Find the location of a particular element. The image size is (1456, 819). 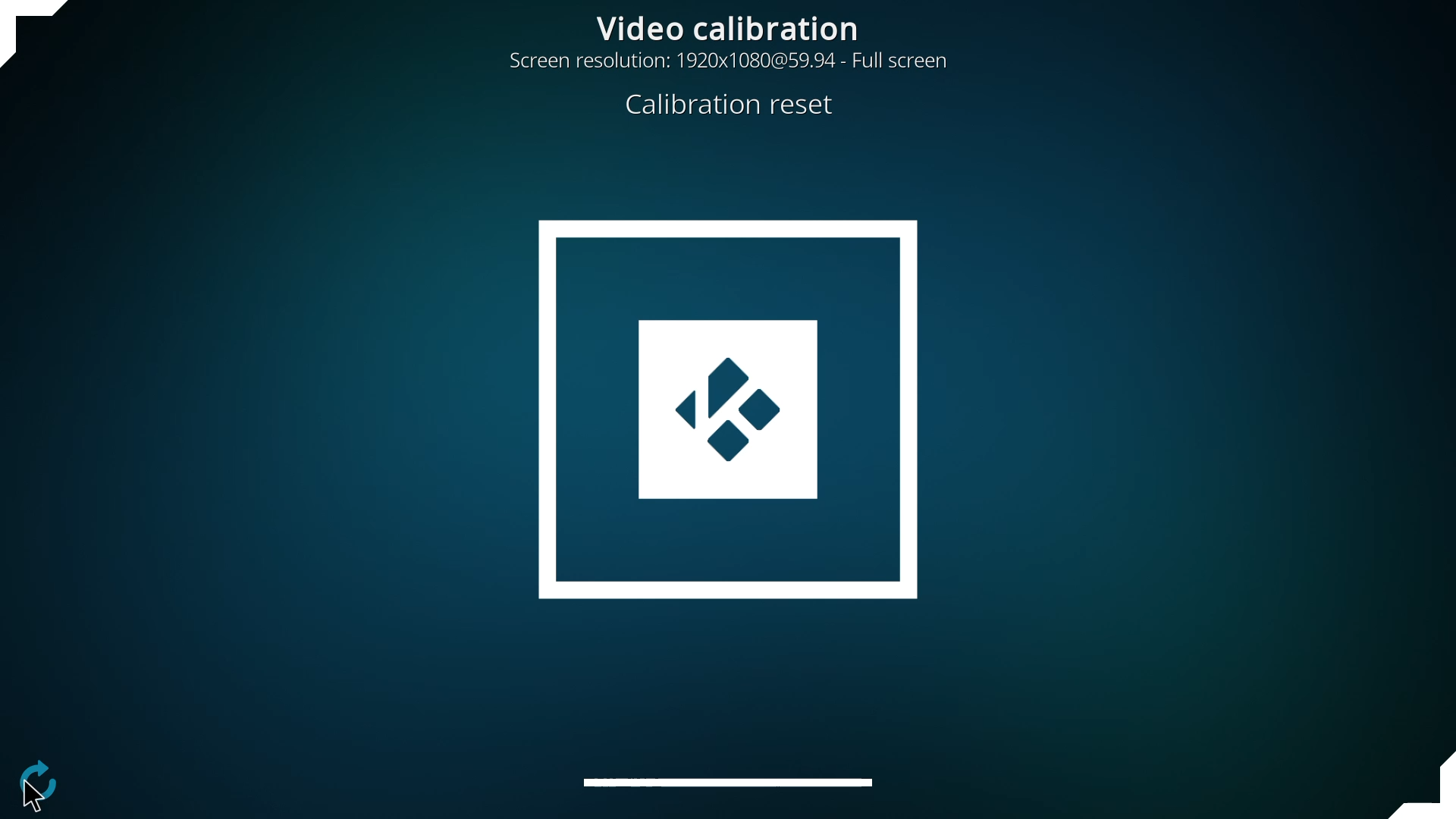

calibration is located at coordinates (726, 409).